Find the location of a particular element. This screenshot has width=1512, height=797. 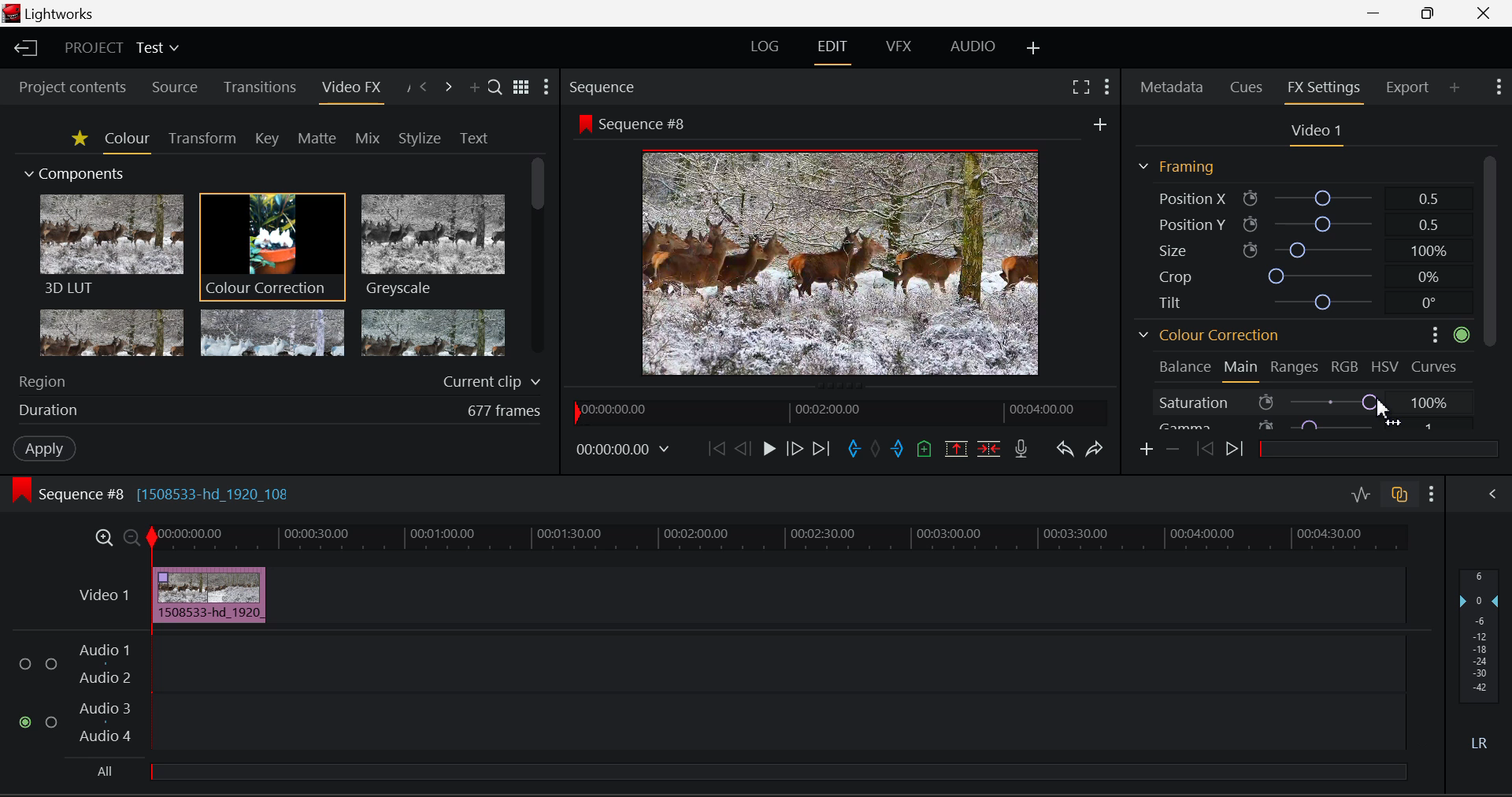

Greyscale is located at coordinates (431, 247).